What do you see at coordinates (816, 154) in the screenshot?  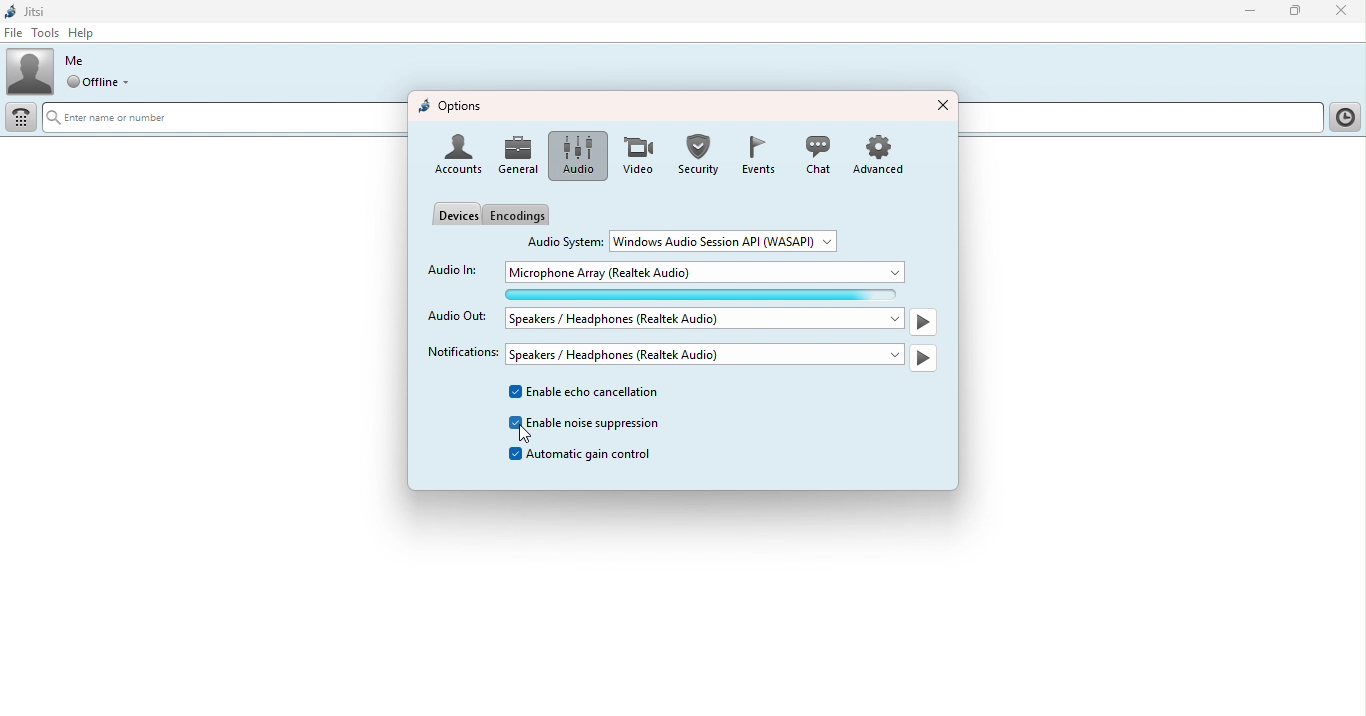 I see `Chat` at bounding box center [816, 154].